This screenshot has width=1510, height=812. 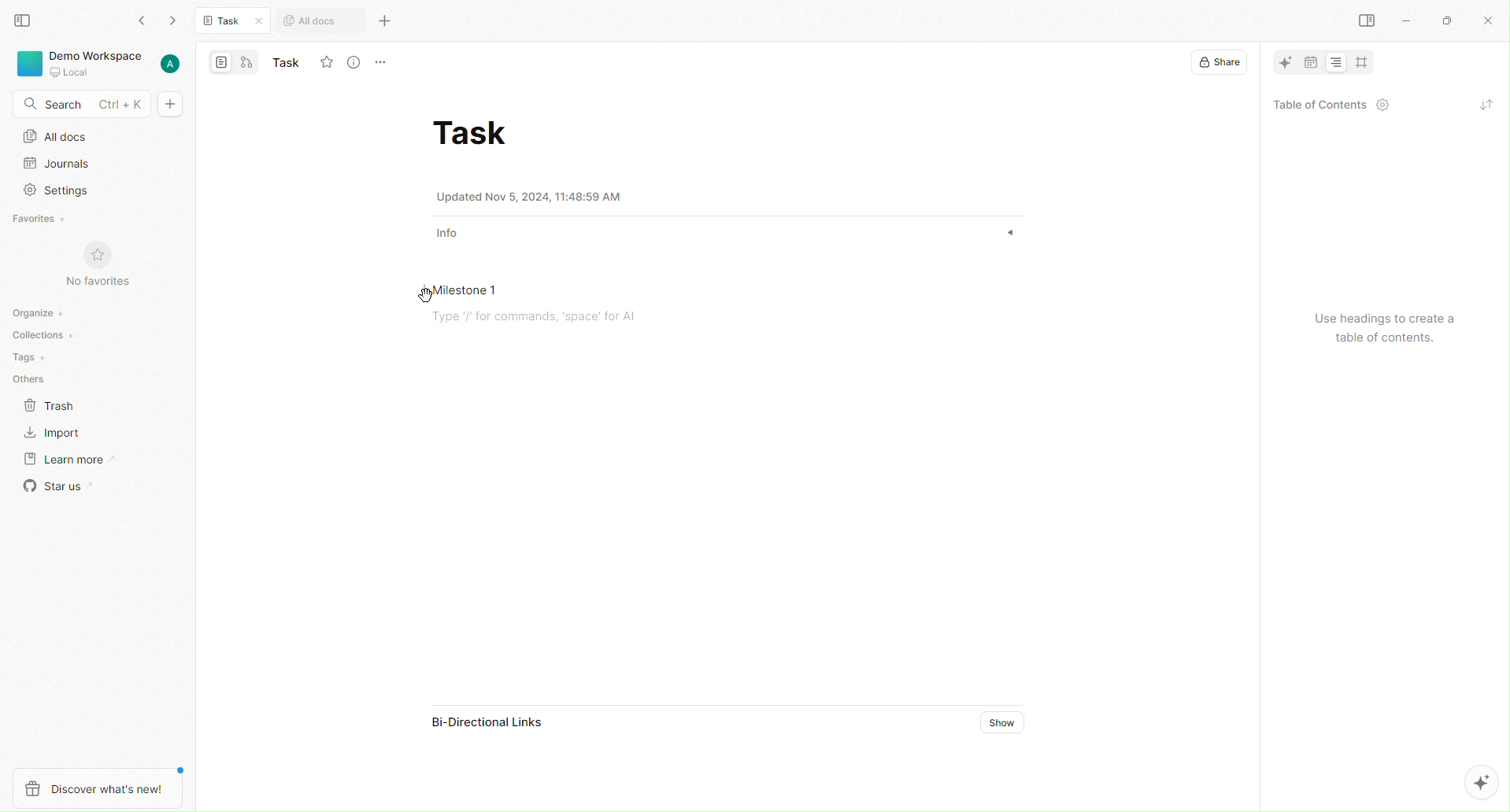 What do you see at coordinates (1284, 65) in the screenshot?
I see `AI tool` at bounding box center [1284, 65].